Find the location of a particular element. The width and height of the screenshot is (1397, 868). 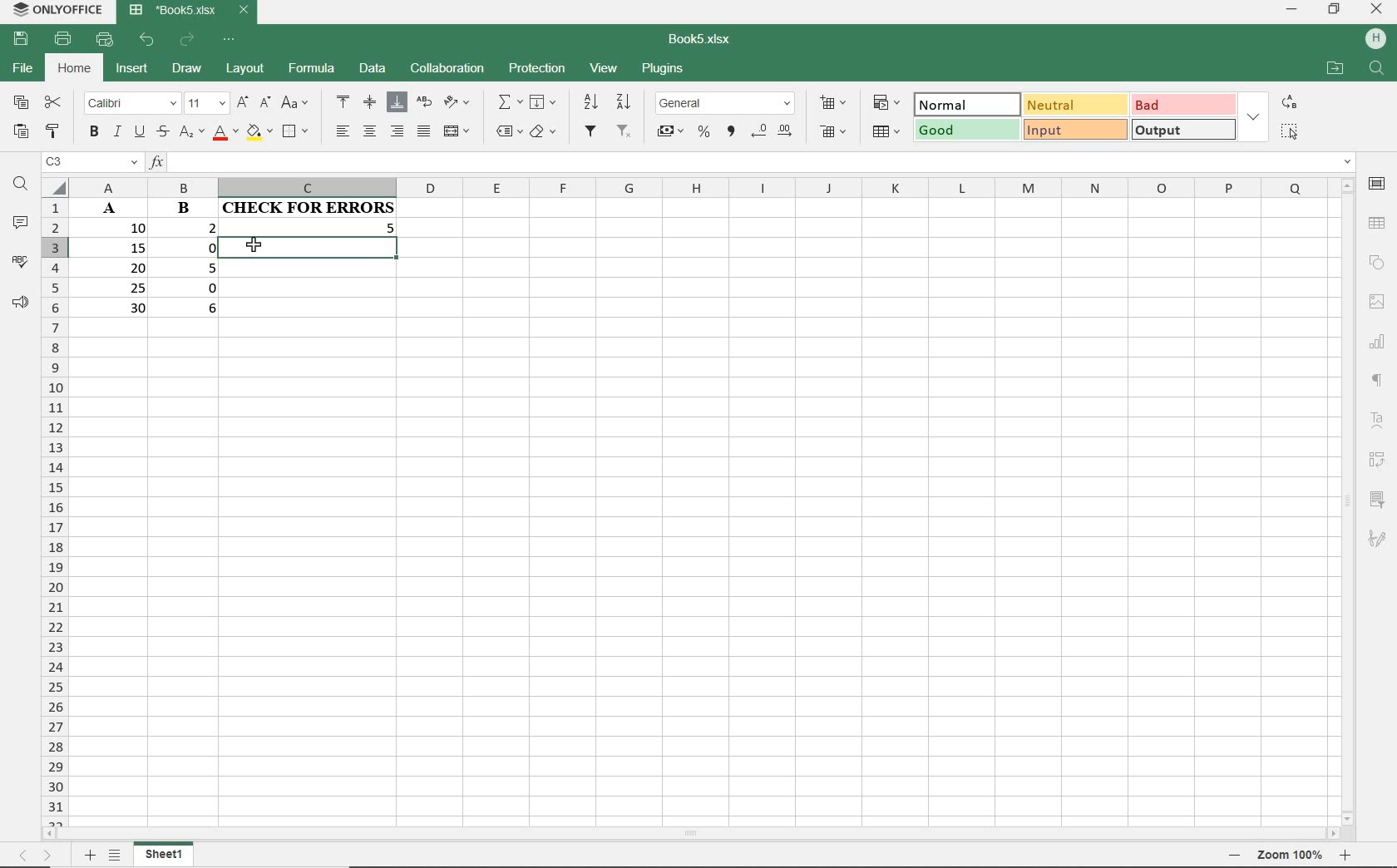

NAMED RANGES is located at coordinates (506, 131).